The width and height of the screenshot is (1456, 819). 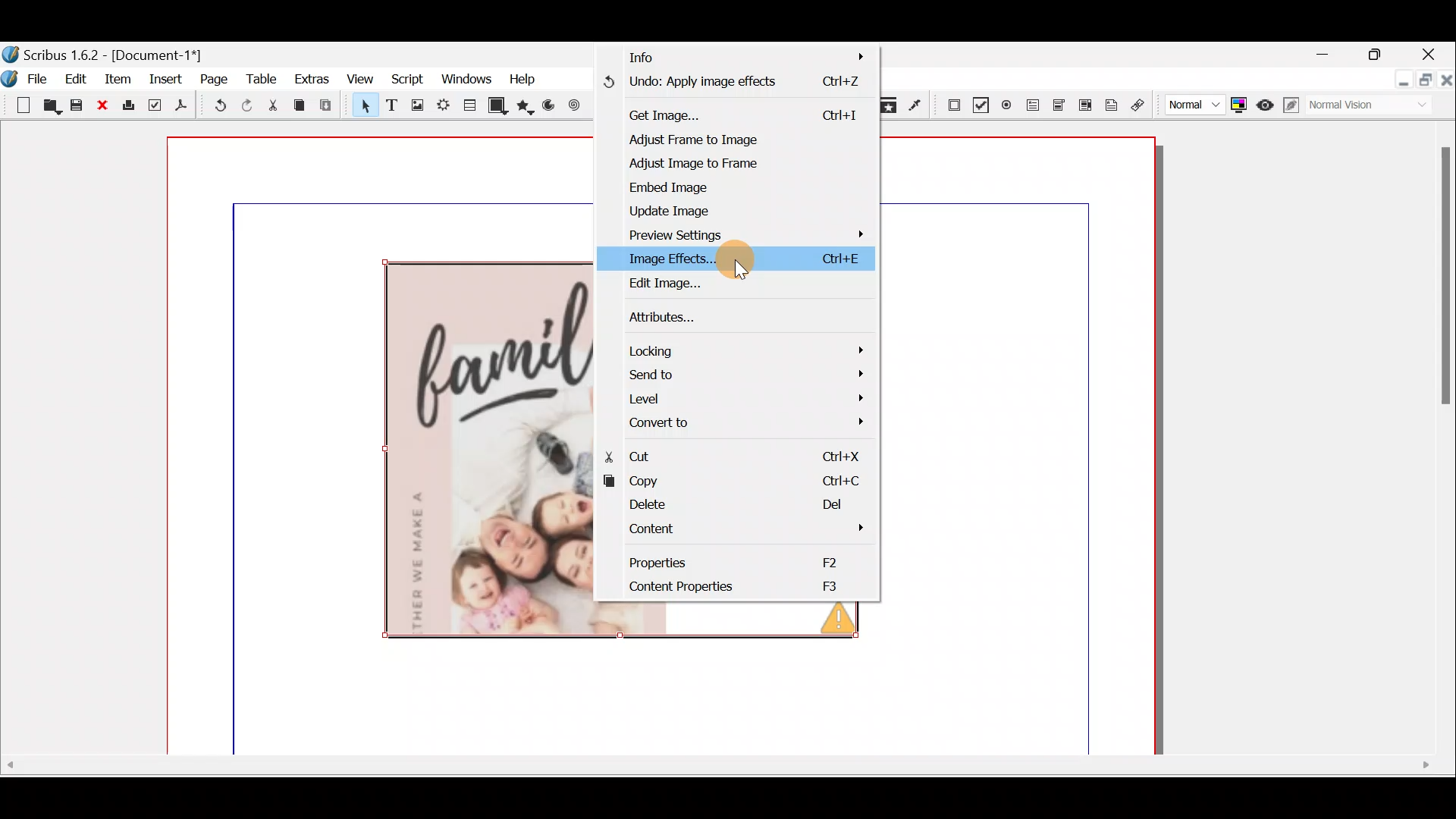 What do you see at coordinates (737, 587) in the screenshot?
I see `Content properties` at bounding box center [737, 587].